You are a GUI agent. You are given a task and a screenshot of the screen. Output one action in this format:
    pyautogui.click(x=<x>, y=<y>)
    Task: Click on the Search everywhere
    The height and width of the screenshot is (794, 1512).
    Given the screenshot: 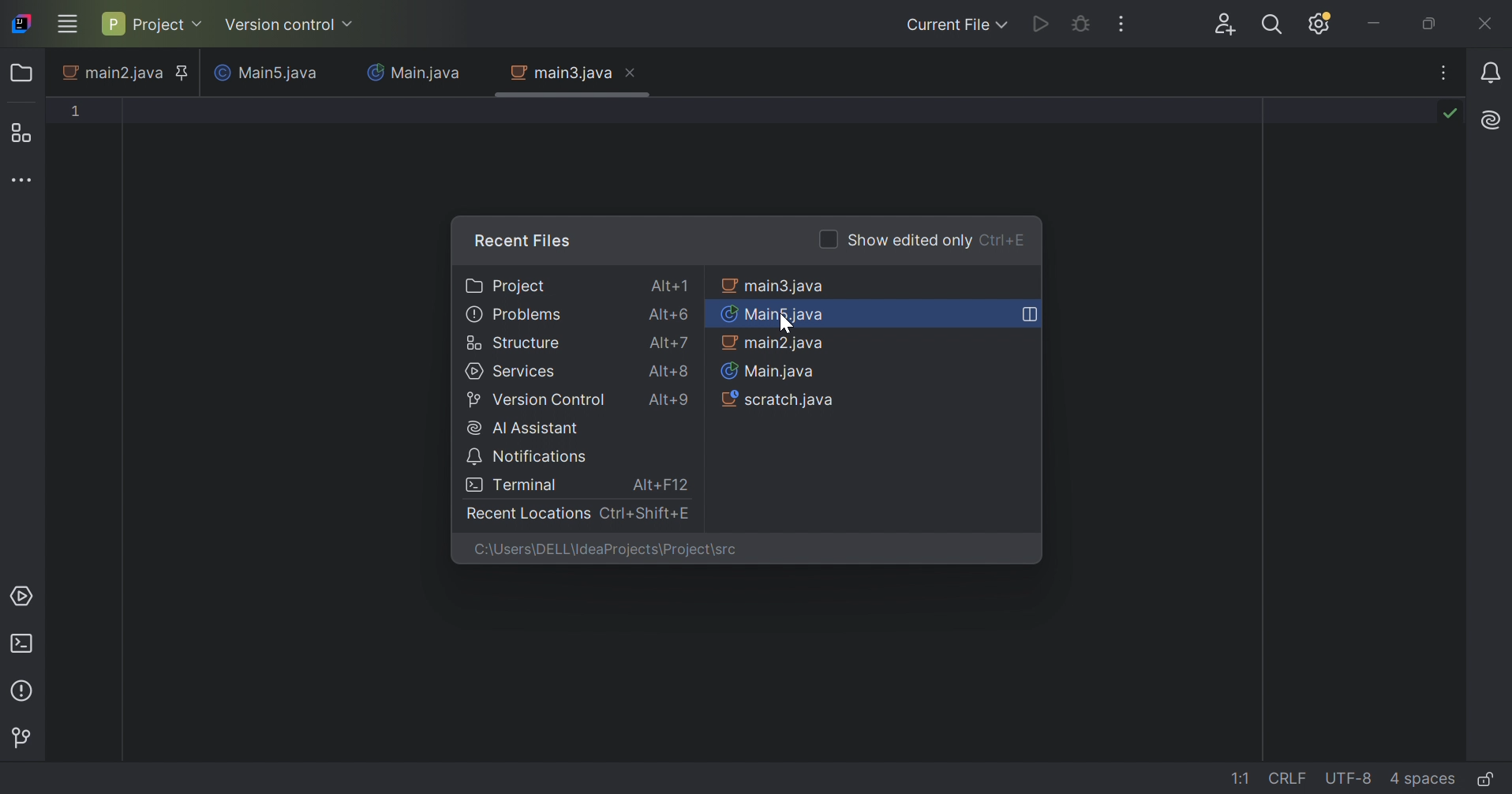 What is the action you would take?
    pyautogui.click(x=1225, y=24)
    